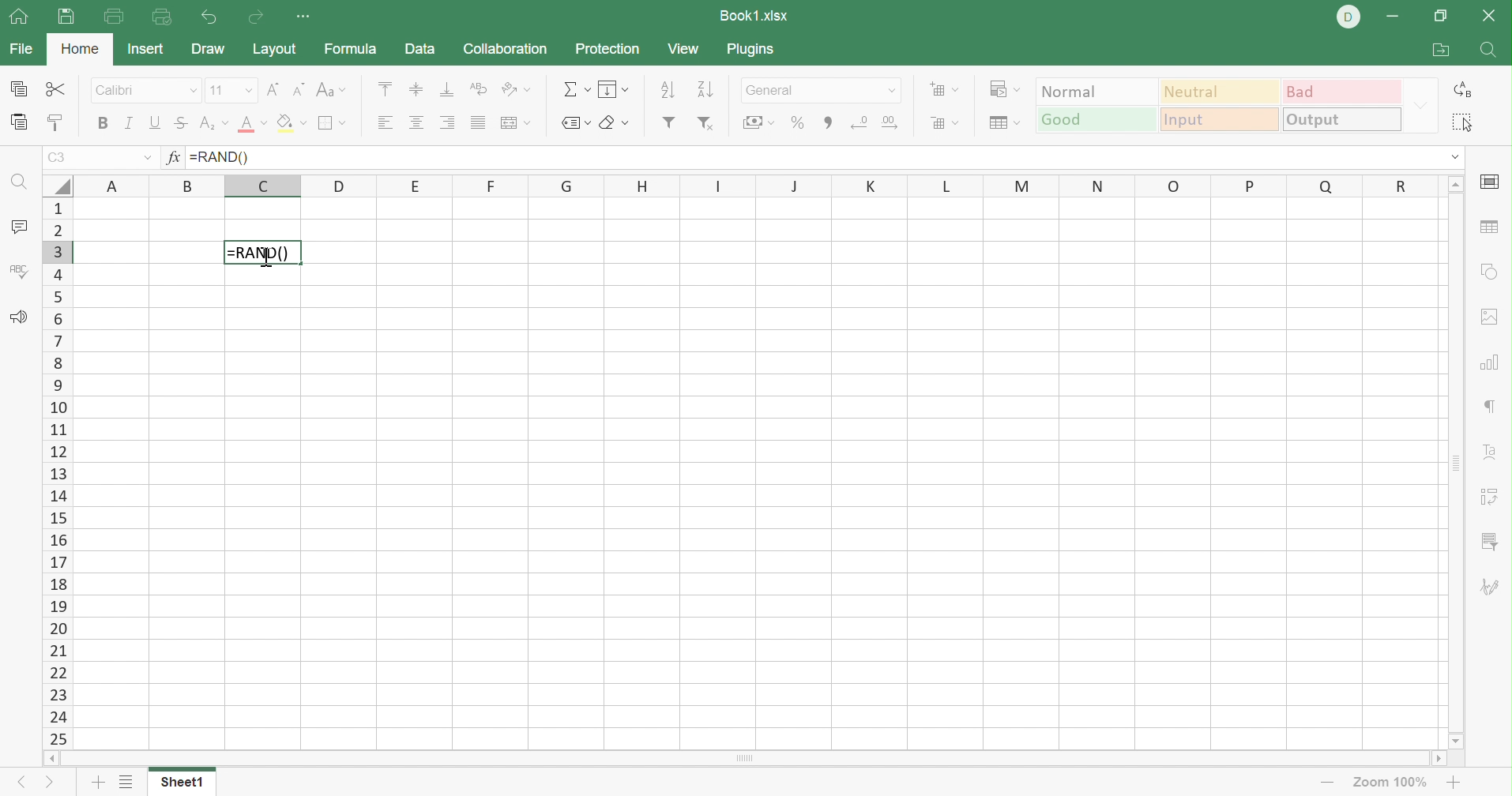 This screenshot has height=796, width=1512. What do you see at coordinates (51, 757) in the screenshot?
I see `Scroll left` at bounding box center [51, 757].